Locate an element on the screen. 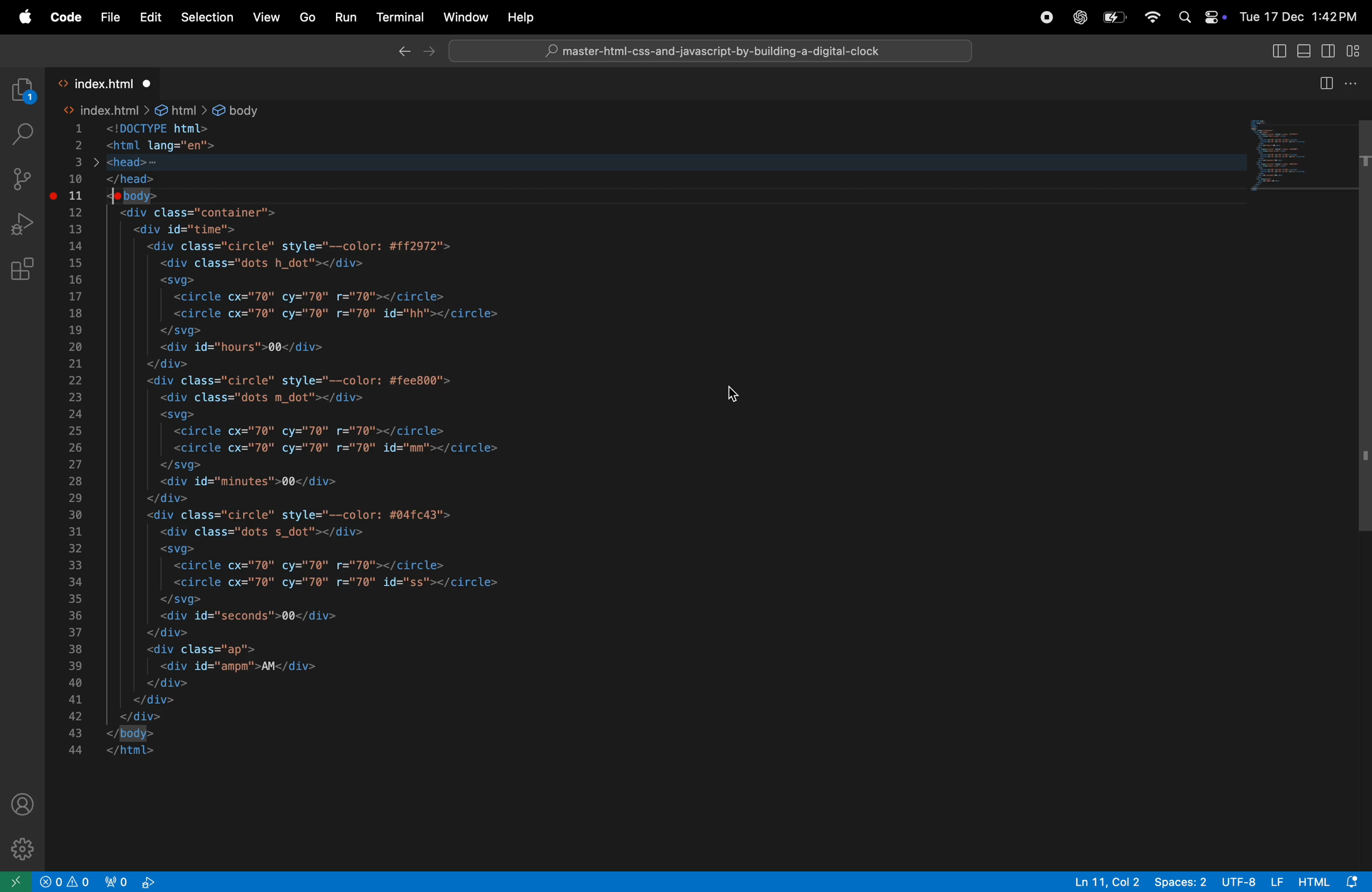  <!DOCTYPE html> Sm
<html lang="en"> jens
ps E&
</head> =
<body> £
<div class="container">
<div id="time">
<div class="circle" style="--color: #ff2972">
<div class="dots h_dot"></div>
<svg>
<circle cx="70" cy="70" r="70"></circle>
<circle cx="70" cy="70" r="70" id="hh"></circle>
</svg>
<div id="hours">00</div>
</div>
<div class="circle" style="--color: #fee800">
<div class="dots m_dot"></div>
<svg>
<circle cx="70" cy="70" r="70"></circle>
<circle cx="70" cy="70" r="70" id="mm"></circle>
</svg>
<div id="minutes">00</div>
</div>
<div class="circle" style="--color: #04fc43">
<div class="dots s_dot"></div>
<svg>
<circle cx="70" cy="70" r="70"></circle>
<circle cx="70" cy="70" r="70" id="ss"></circle>
</svg>
<div id="seconds">00</div>
</div>
<div class="ap">
<div id="ampm'>AM</div>
</div>
</div>
</div>
</body>
</html> is located at coordinates (383, 440).